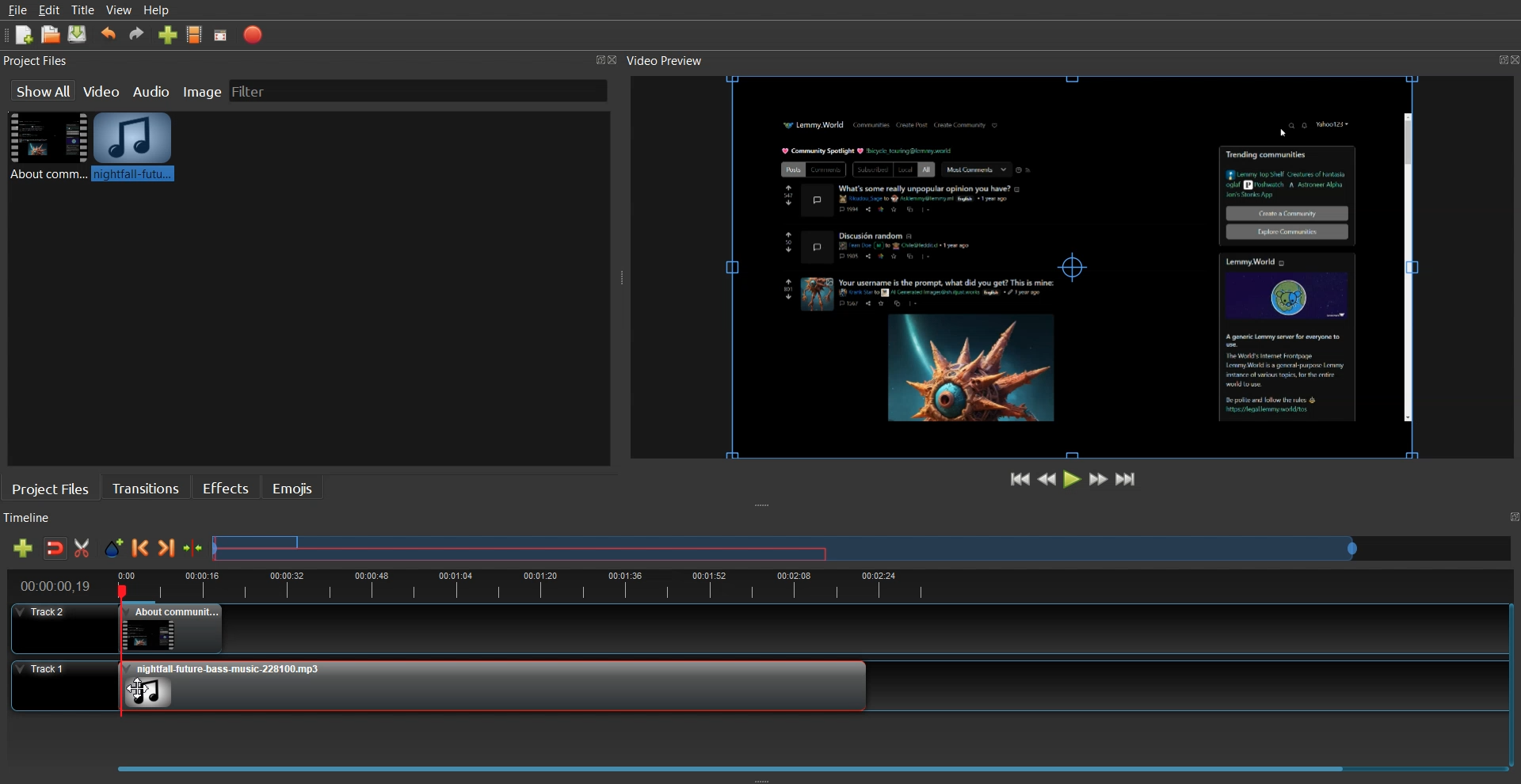 This screenshot has height=784, width=1521. What do you see at coordinates (762, 778) in the screenshot?
I see `Window Adjuster` at bounding box center [762, 778].